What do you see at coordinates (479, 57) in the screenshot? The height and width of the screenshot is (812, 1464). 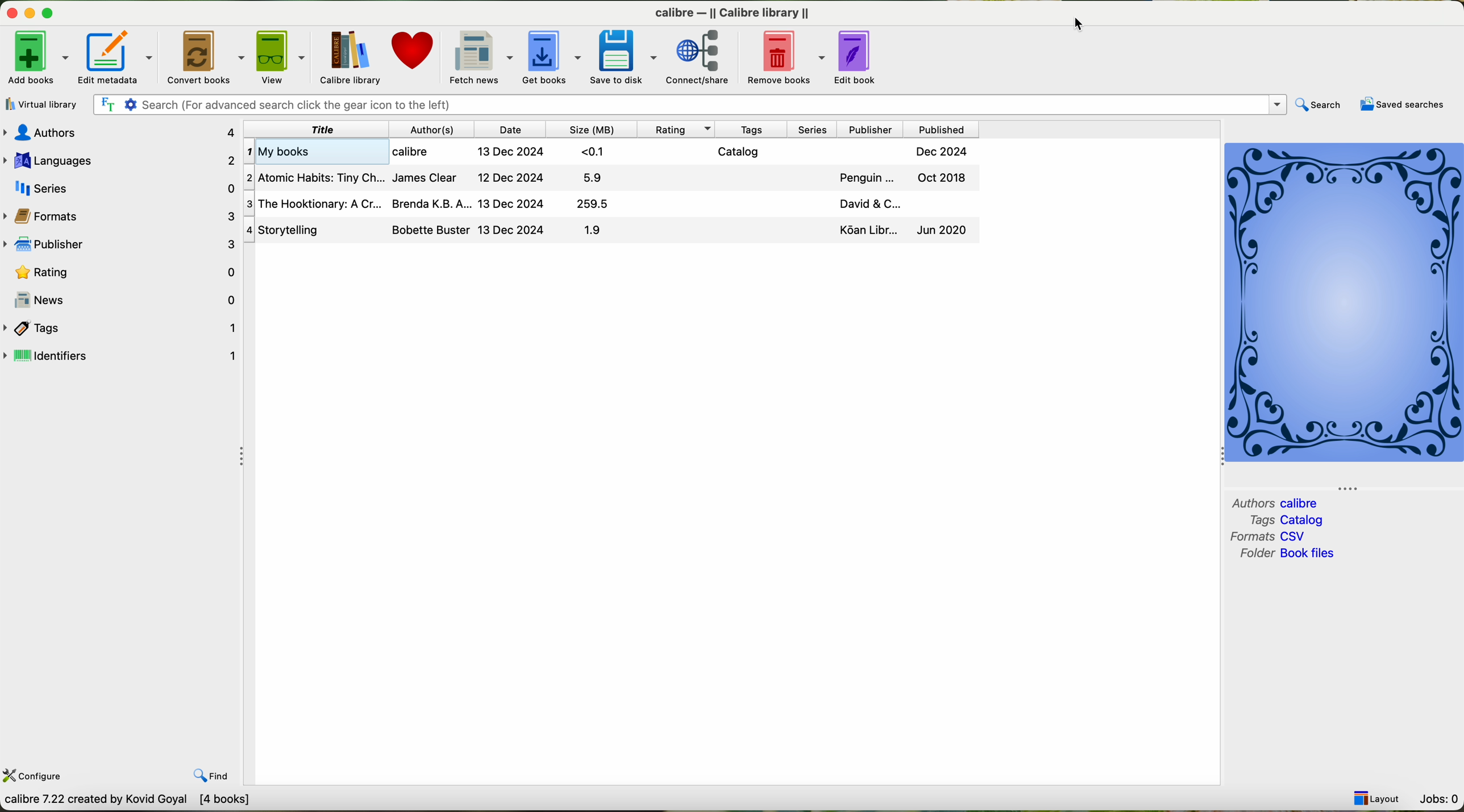 I see `fetch news` at bounding box center [479, 57].